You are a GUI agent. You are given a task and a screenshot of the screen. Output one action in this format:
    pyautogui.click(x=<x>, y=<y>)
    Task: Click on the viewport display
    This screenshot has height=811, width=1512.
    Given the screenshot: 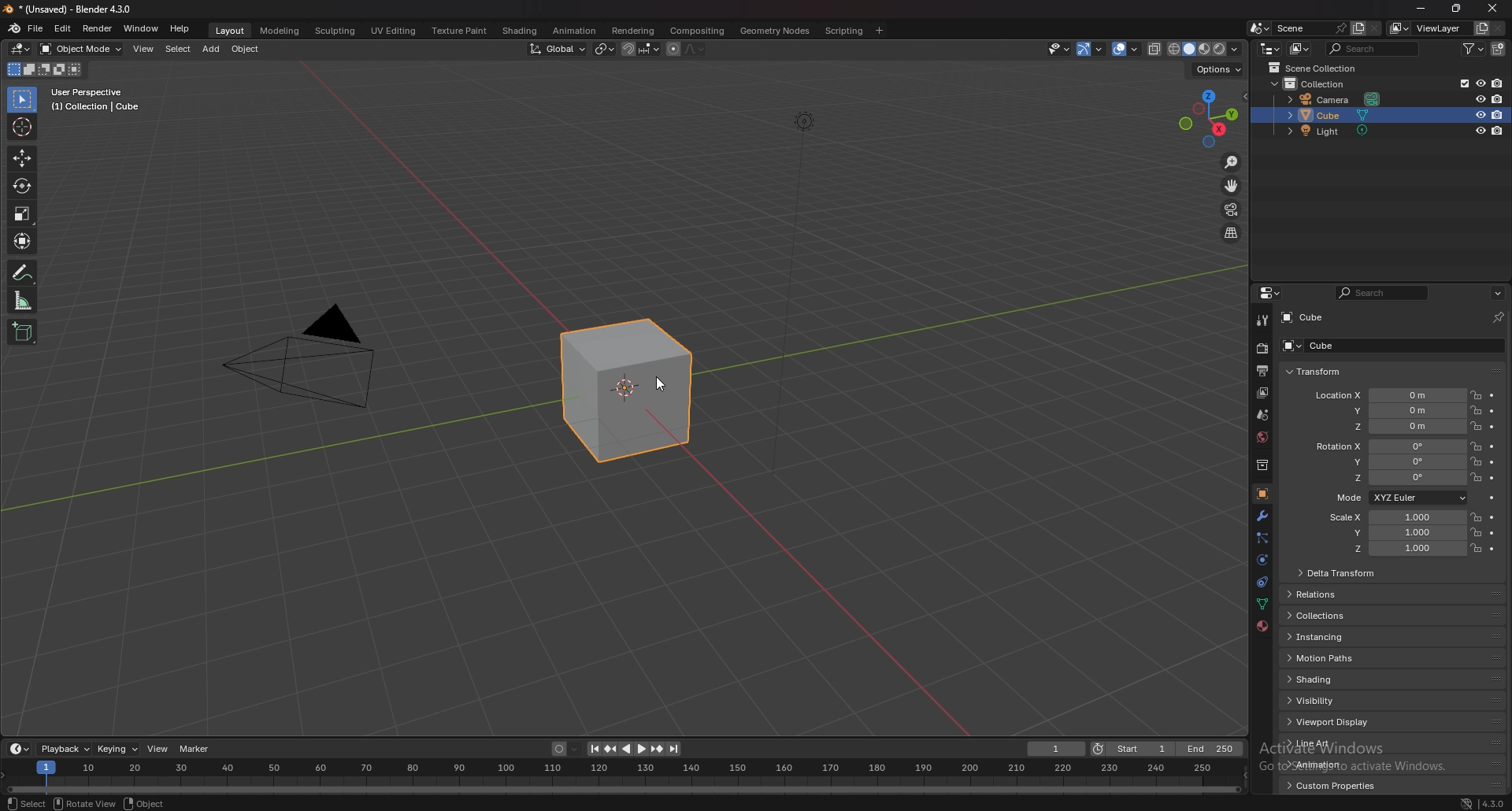 What is the action you would take?
    pyautogui.click(x=1330, y=721)
    